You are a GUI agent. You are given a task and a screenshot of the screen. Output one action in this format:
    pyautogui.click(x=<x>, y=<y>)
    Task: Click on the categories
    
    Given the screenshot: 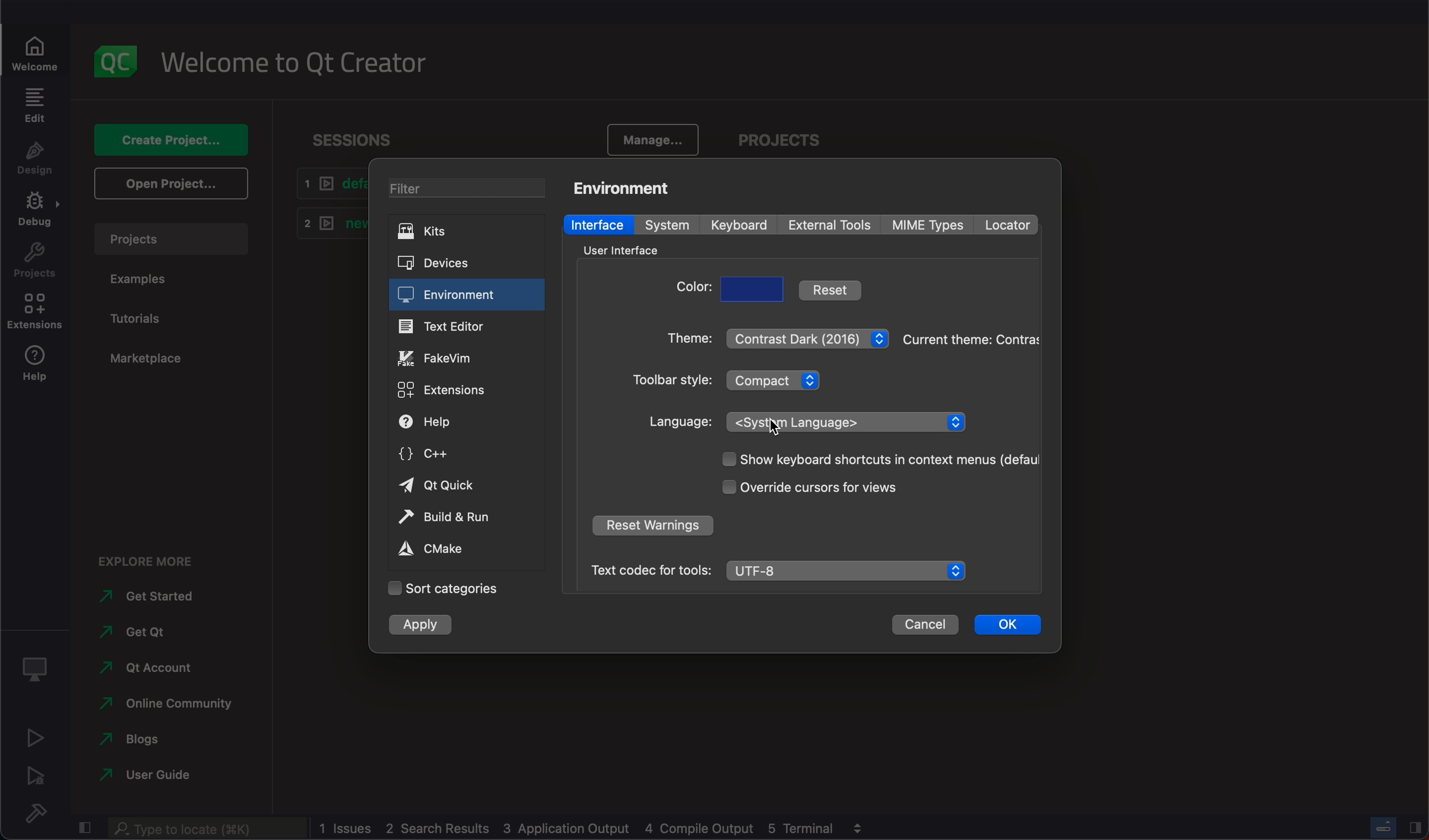 What is the action you would take?
    pyautogui.click(x=450, y=588)
    